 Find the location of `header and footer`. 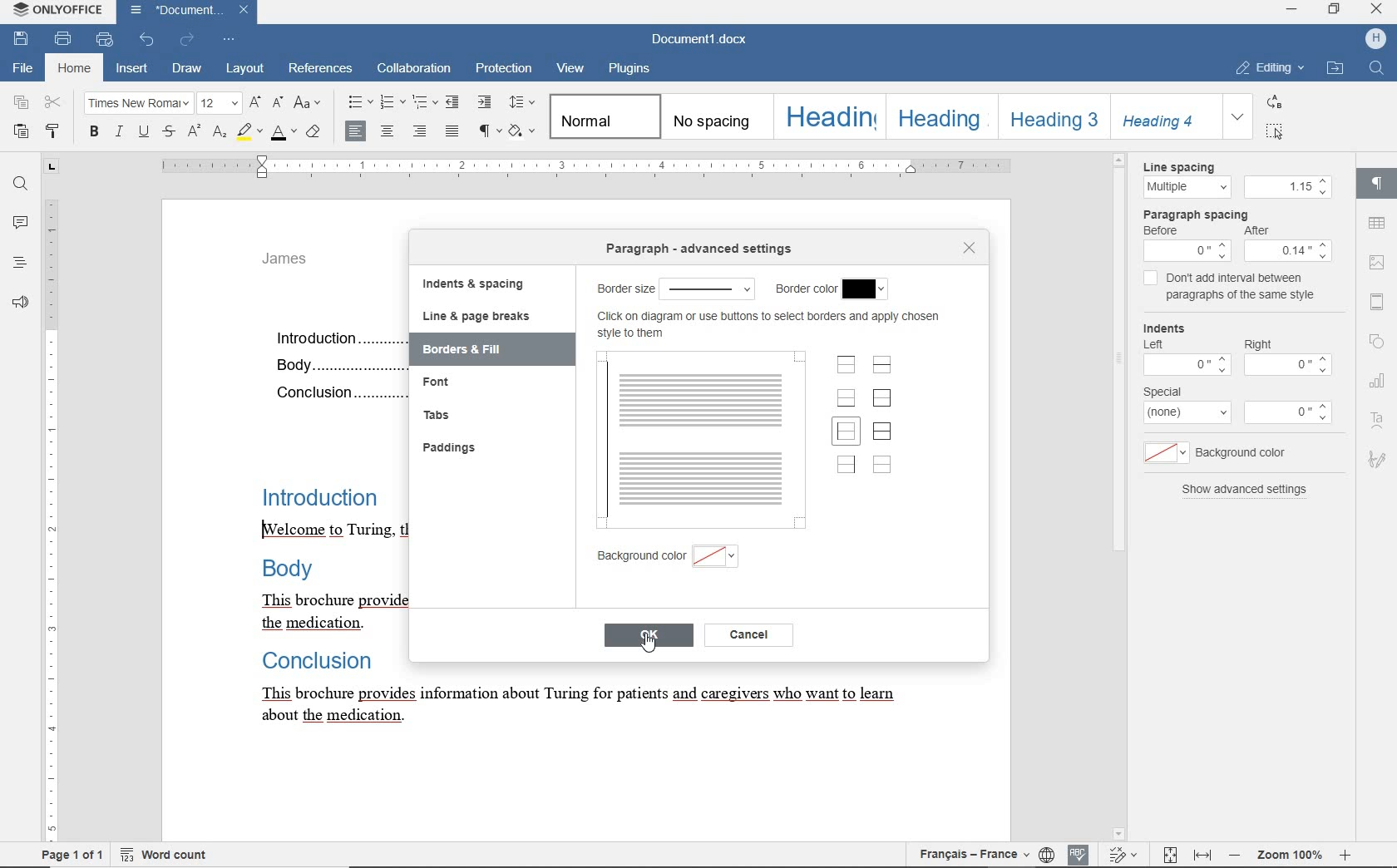

header and footer is located at coordinates (1379, 303).